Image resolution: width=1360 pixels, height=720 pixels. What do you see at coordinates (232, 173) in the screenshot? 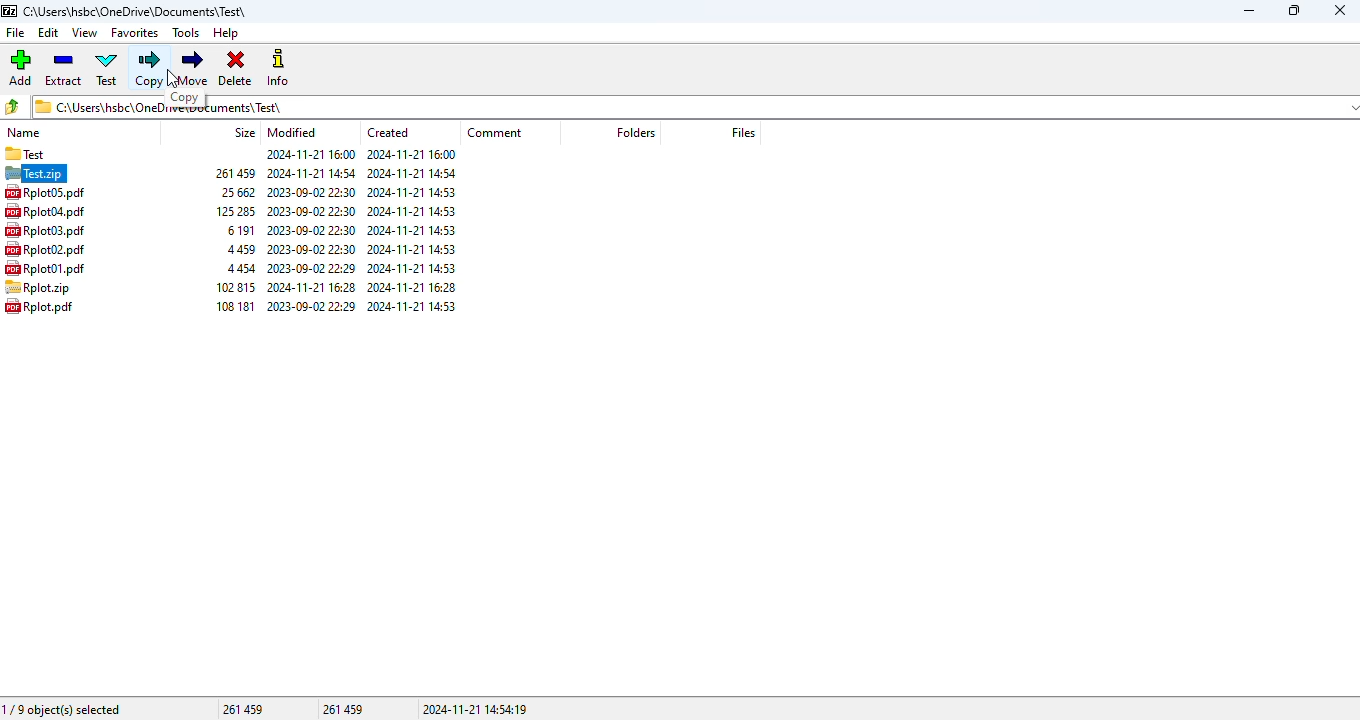
I see `size` at bounding box center [232, 173].